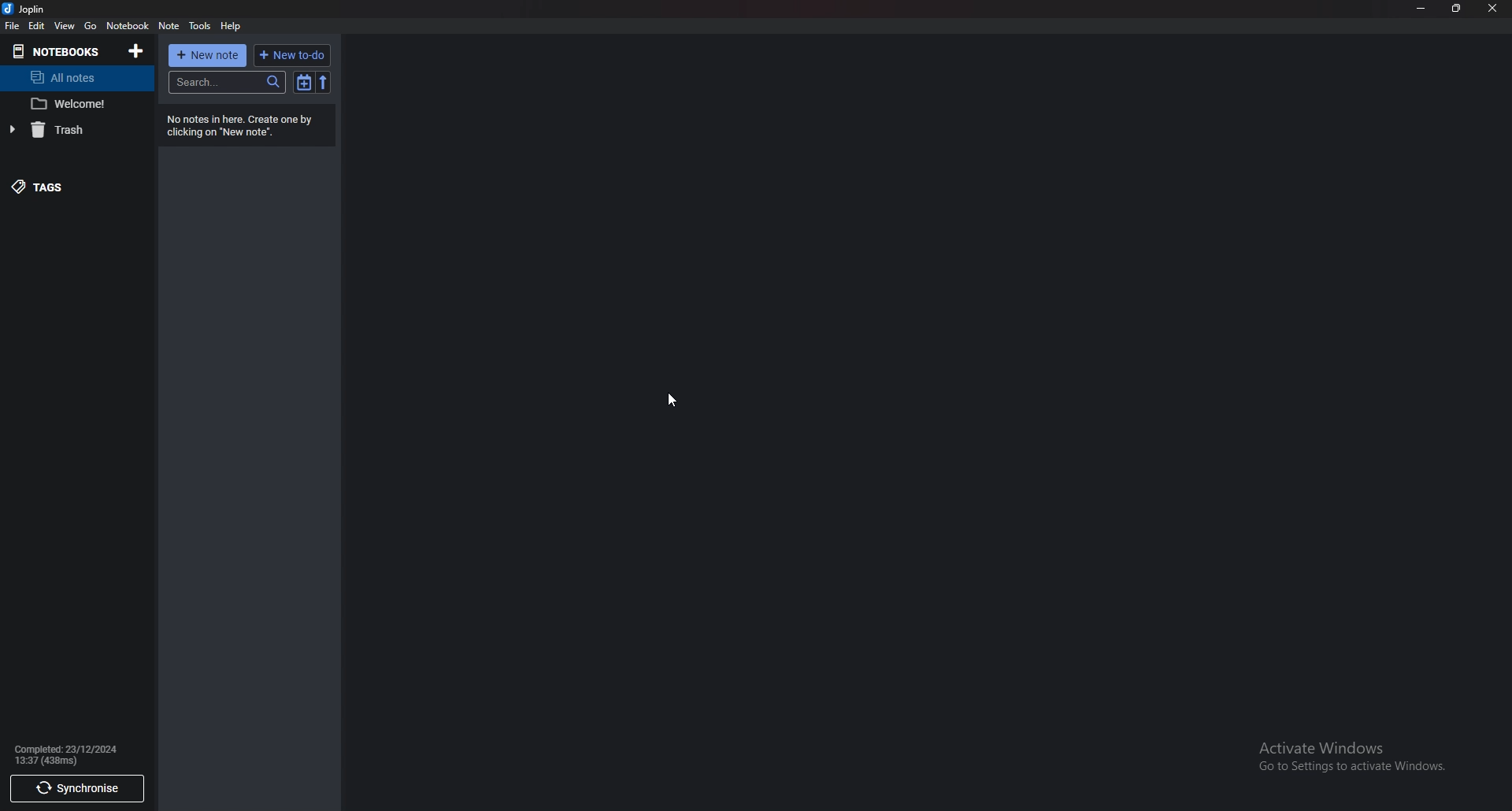 The width and height of the screenshot is (1512, 811). I want to click on Reverse sort order, so click(324, 82).